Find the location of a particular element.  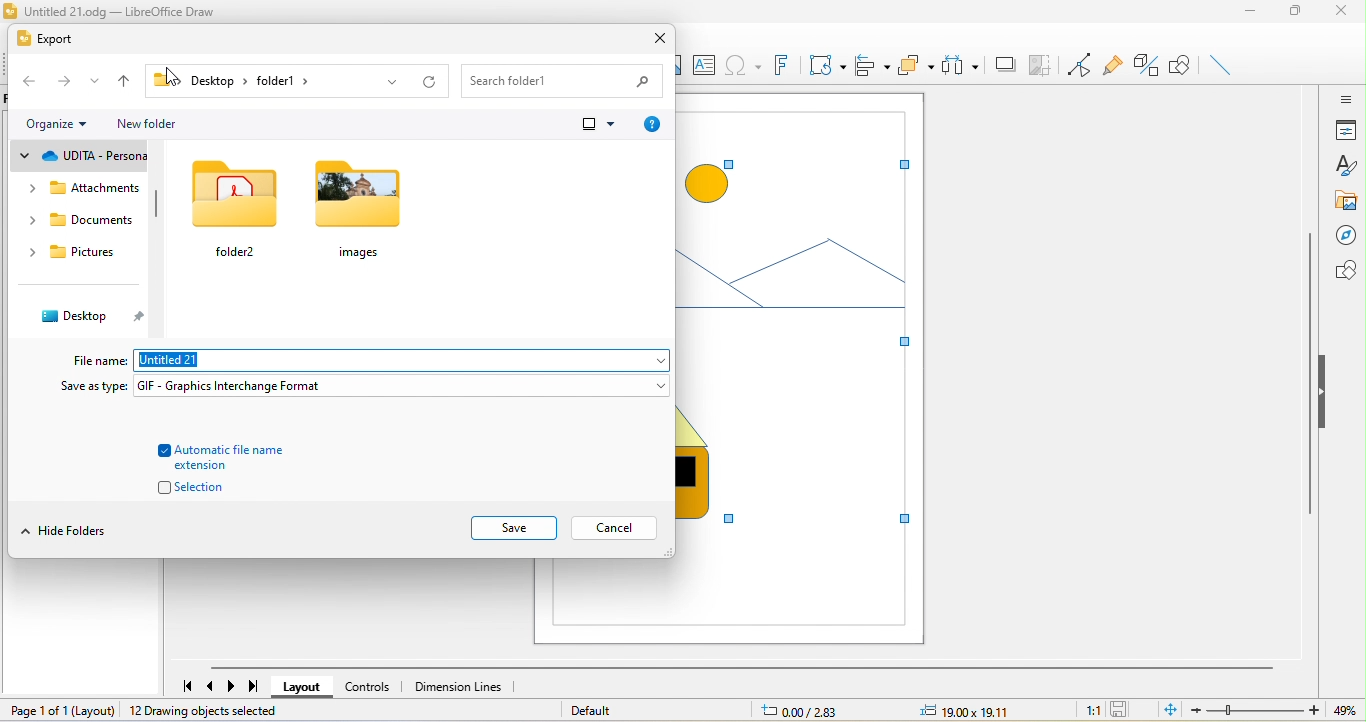

vertical scroll bar is located at coordinates (165, 217).